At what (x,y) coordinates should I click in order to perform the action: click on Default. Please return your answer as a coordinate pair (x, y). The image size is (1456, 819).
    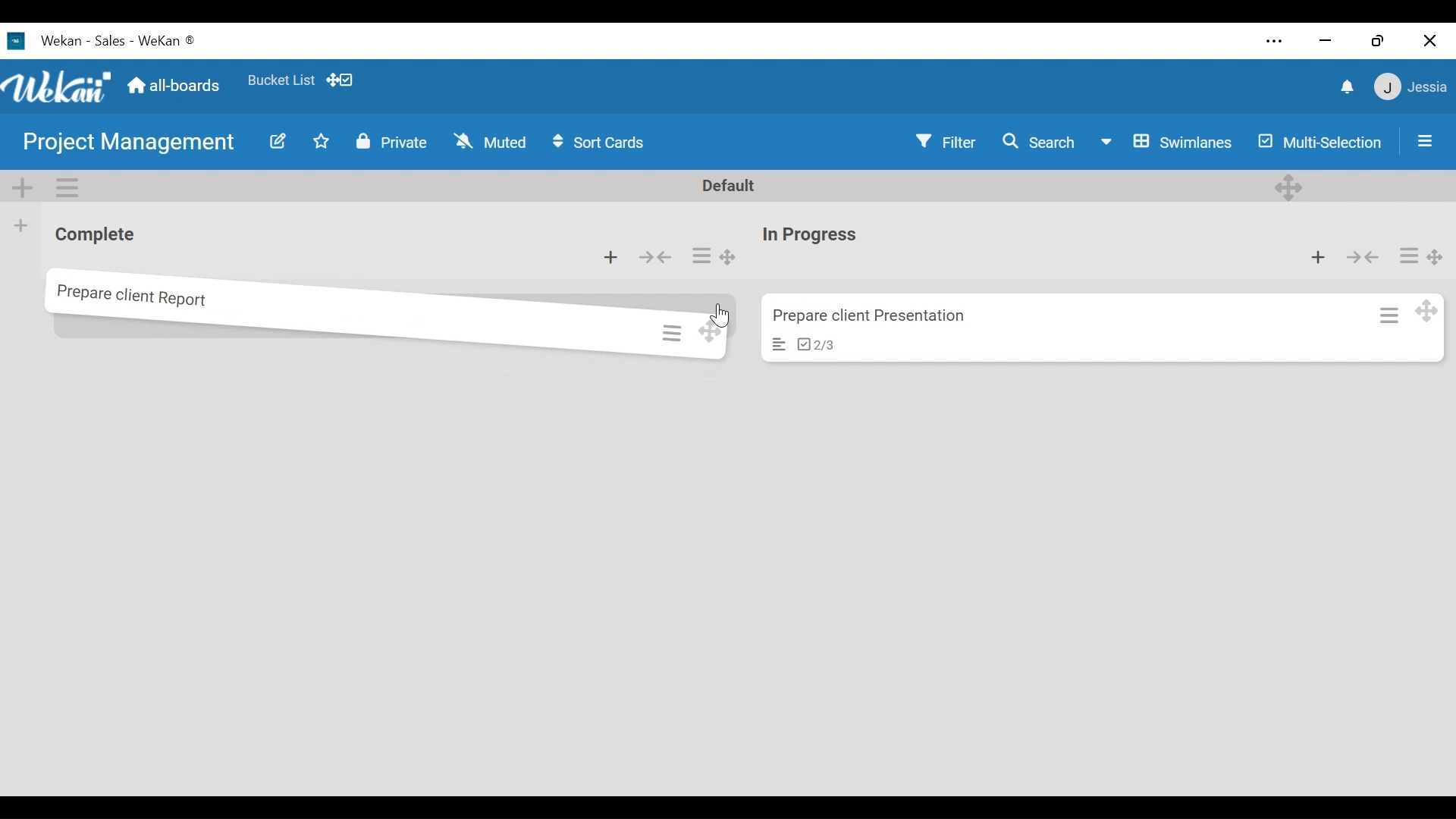
    Looking at the image, I should click on (731, 186).